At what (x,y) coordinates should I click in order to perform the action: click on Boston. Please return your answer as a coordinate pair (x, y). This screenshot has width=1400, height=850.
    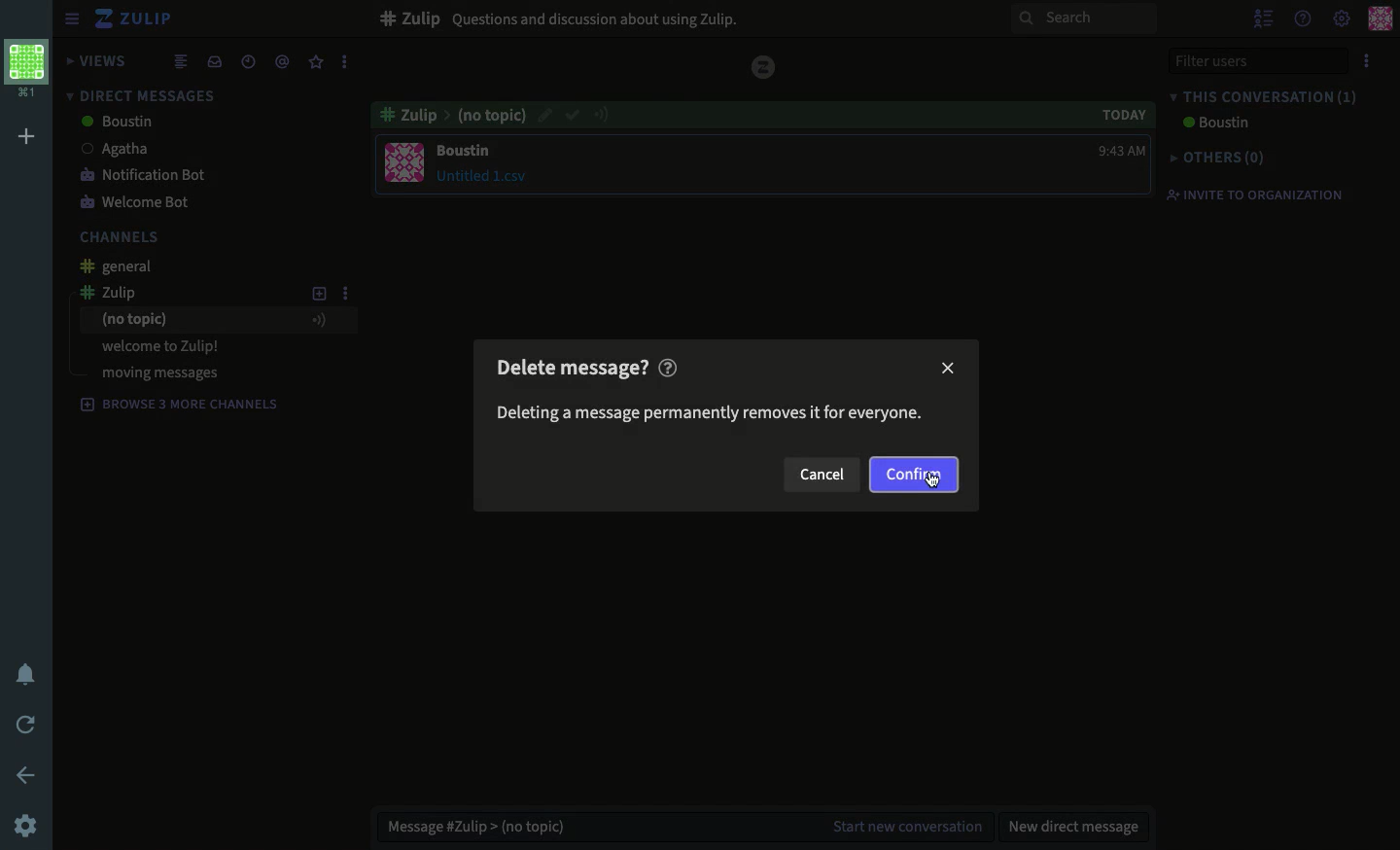
    Looking at the image, I should click on (1212, 125).